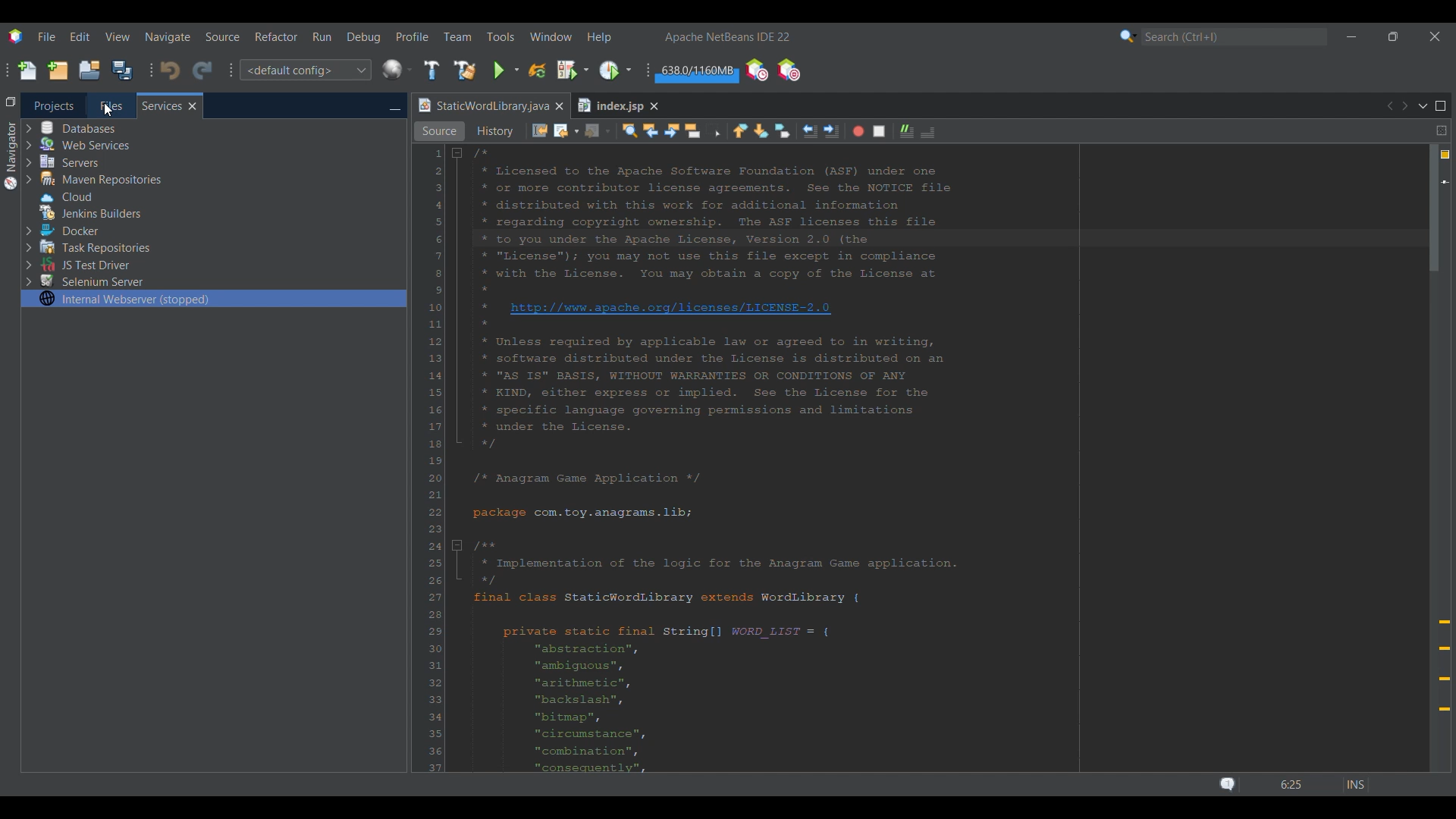 The height and width of the screenshot is (819, 1456). Describe the element at coordinates (170, 71) in the screenshot. I see `Undo` at that location.